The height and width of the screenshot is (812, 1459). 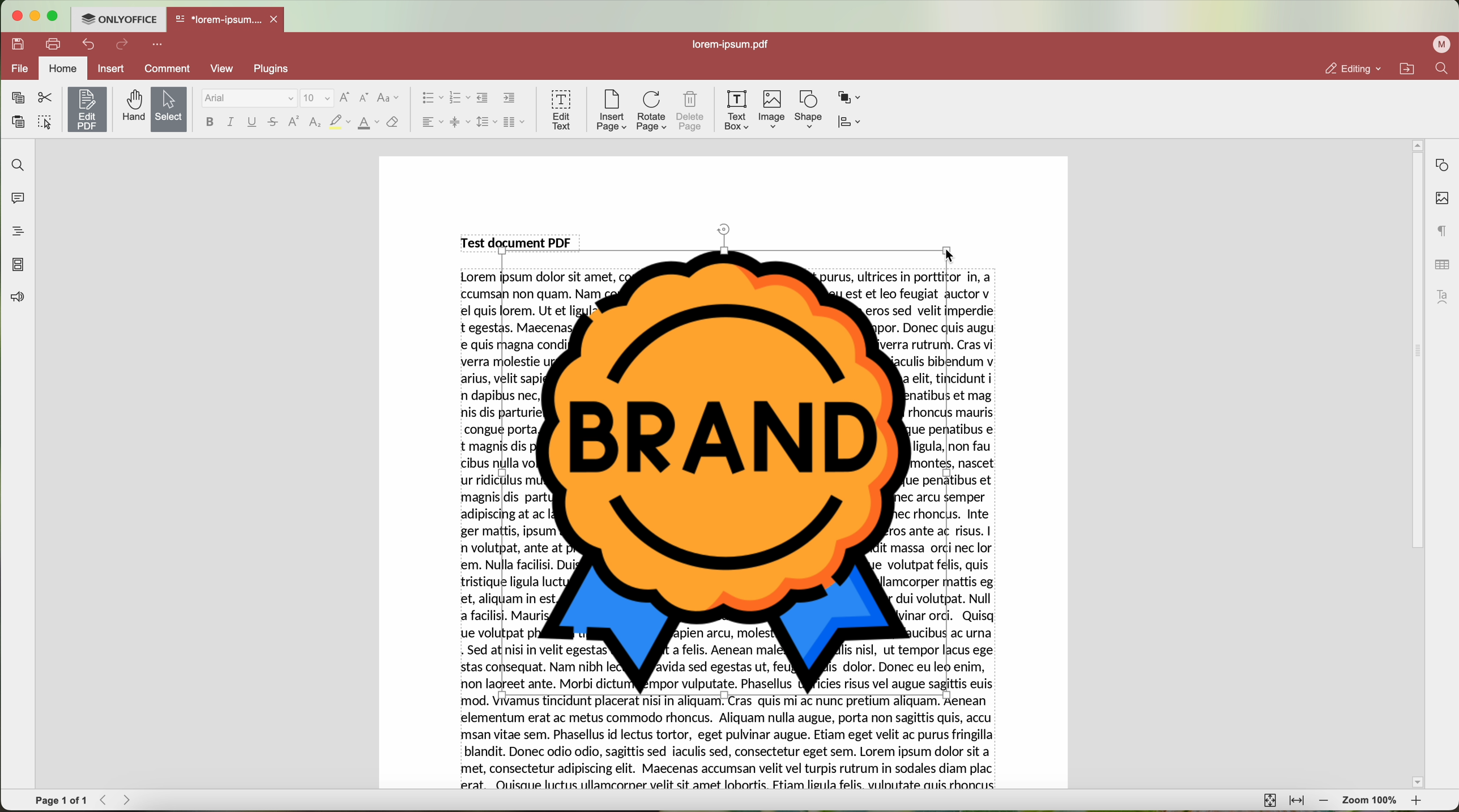 I want to click on undo, so click(x=90, y=44).